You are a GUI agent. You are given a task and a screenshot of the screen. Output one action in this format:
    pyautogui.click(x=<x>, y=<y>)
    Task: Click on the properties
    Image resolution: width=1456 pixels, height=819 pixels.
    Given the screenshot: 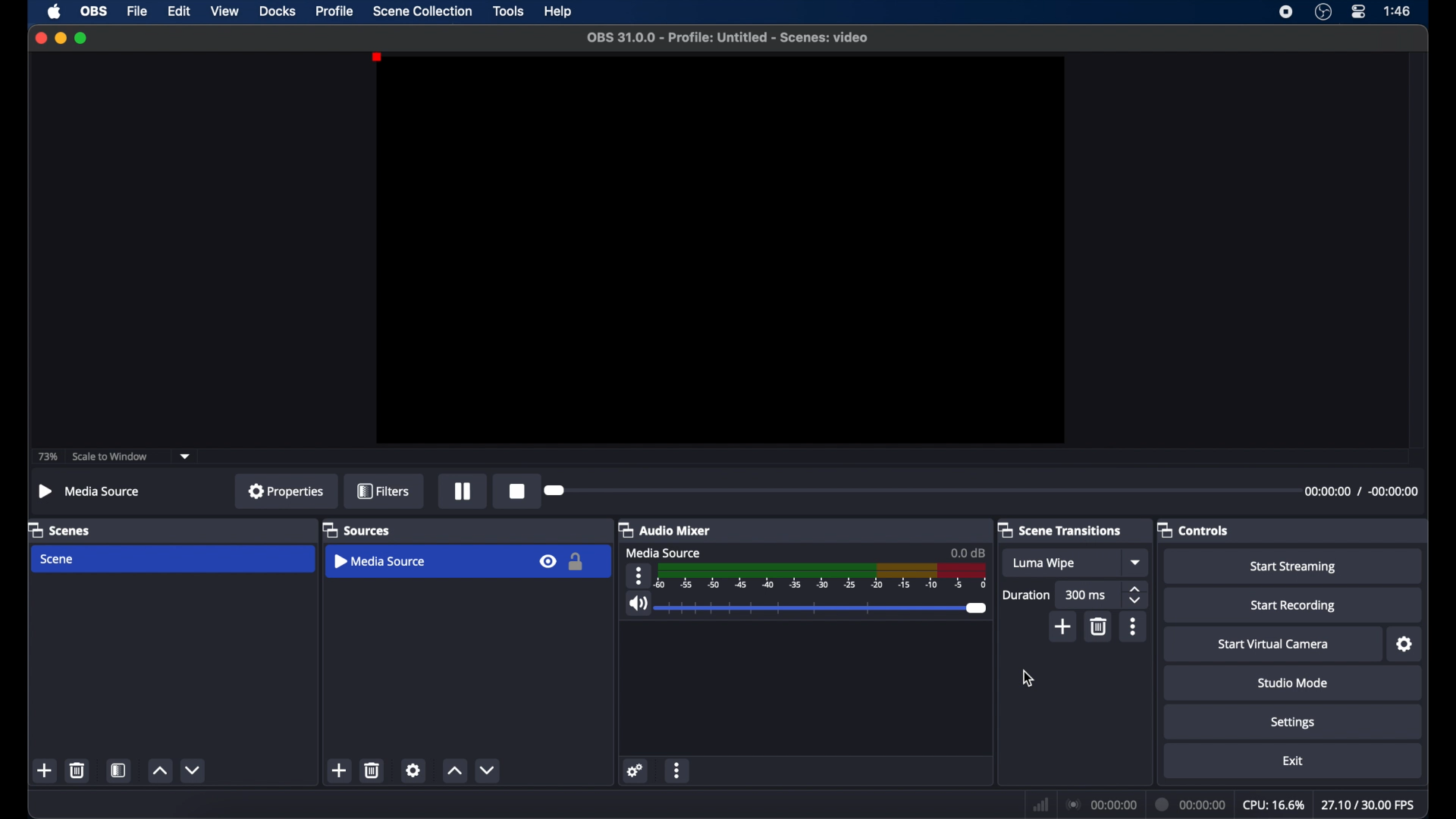 What is the action you would take?
    pyautogui.click(x=287, y=490)
    